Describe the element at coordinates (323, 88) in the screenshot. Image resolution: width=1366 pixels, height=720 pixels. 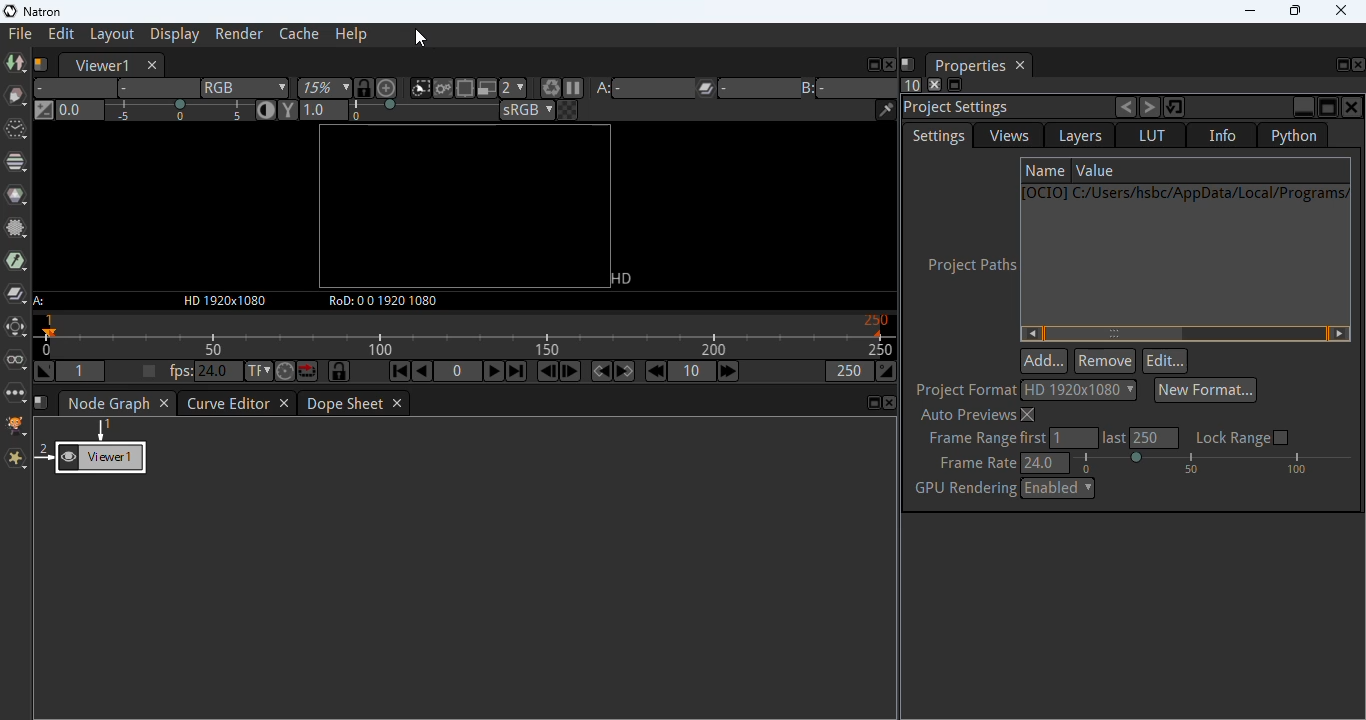
I see `zoom` at that location.